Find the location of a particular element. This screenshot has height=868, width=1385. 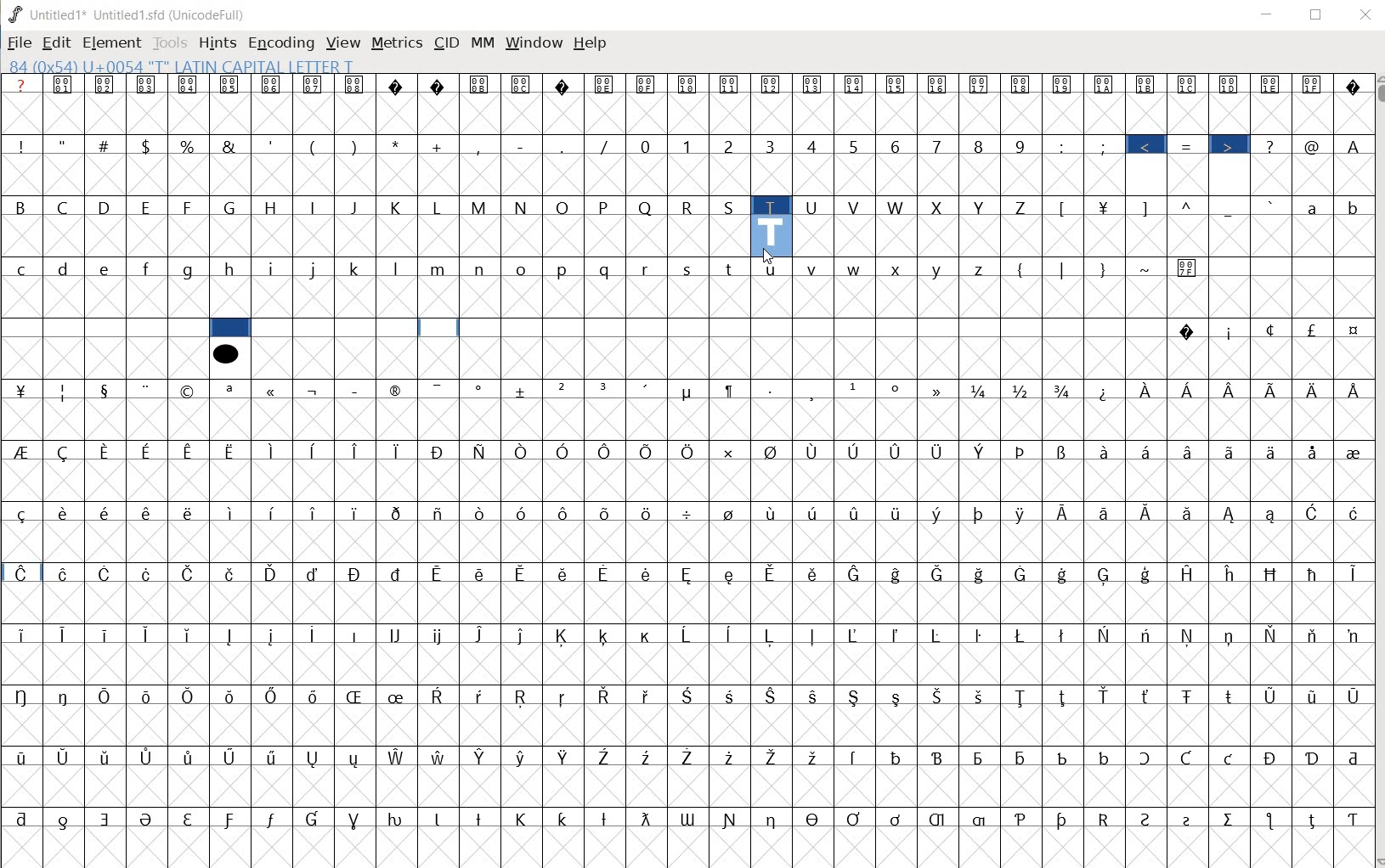

Symbol is located at coordinates (1021, 817).